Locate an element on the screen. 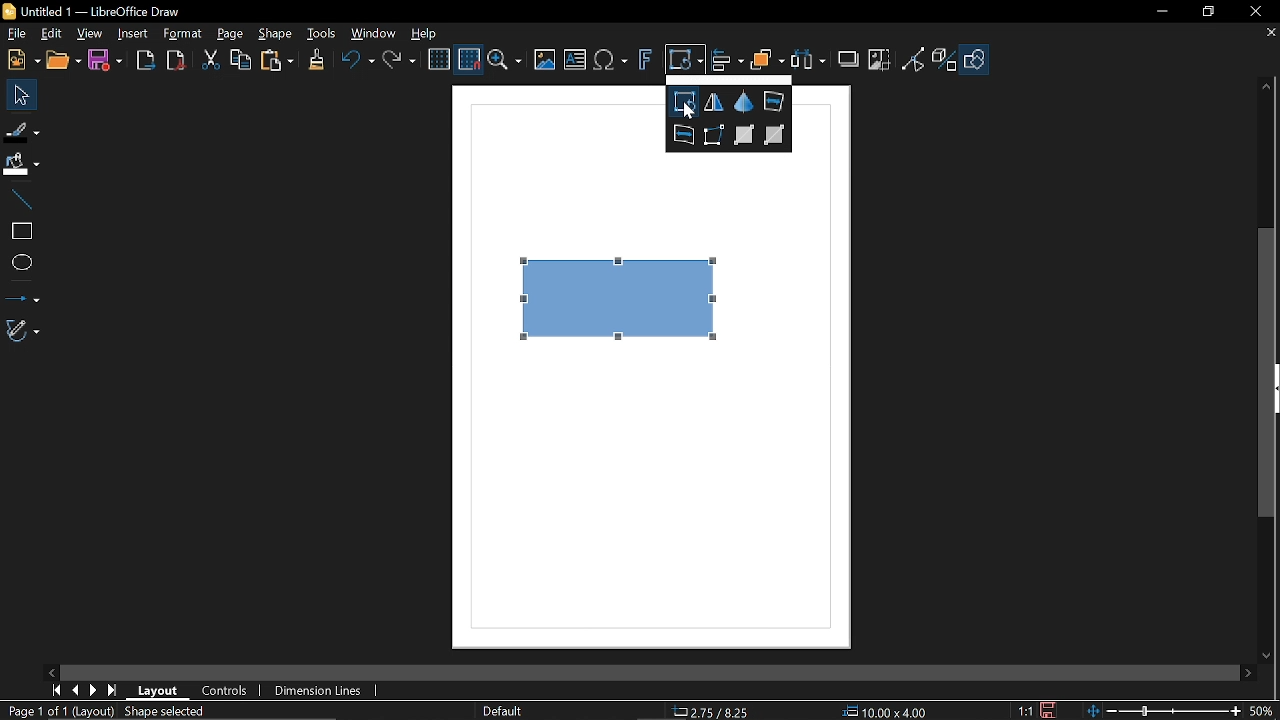 This screenshot has width=1280, height=720. Insert image is located at coordinates (545, 61).